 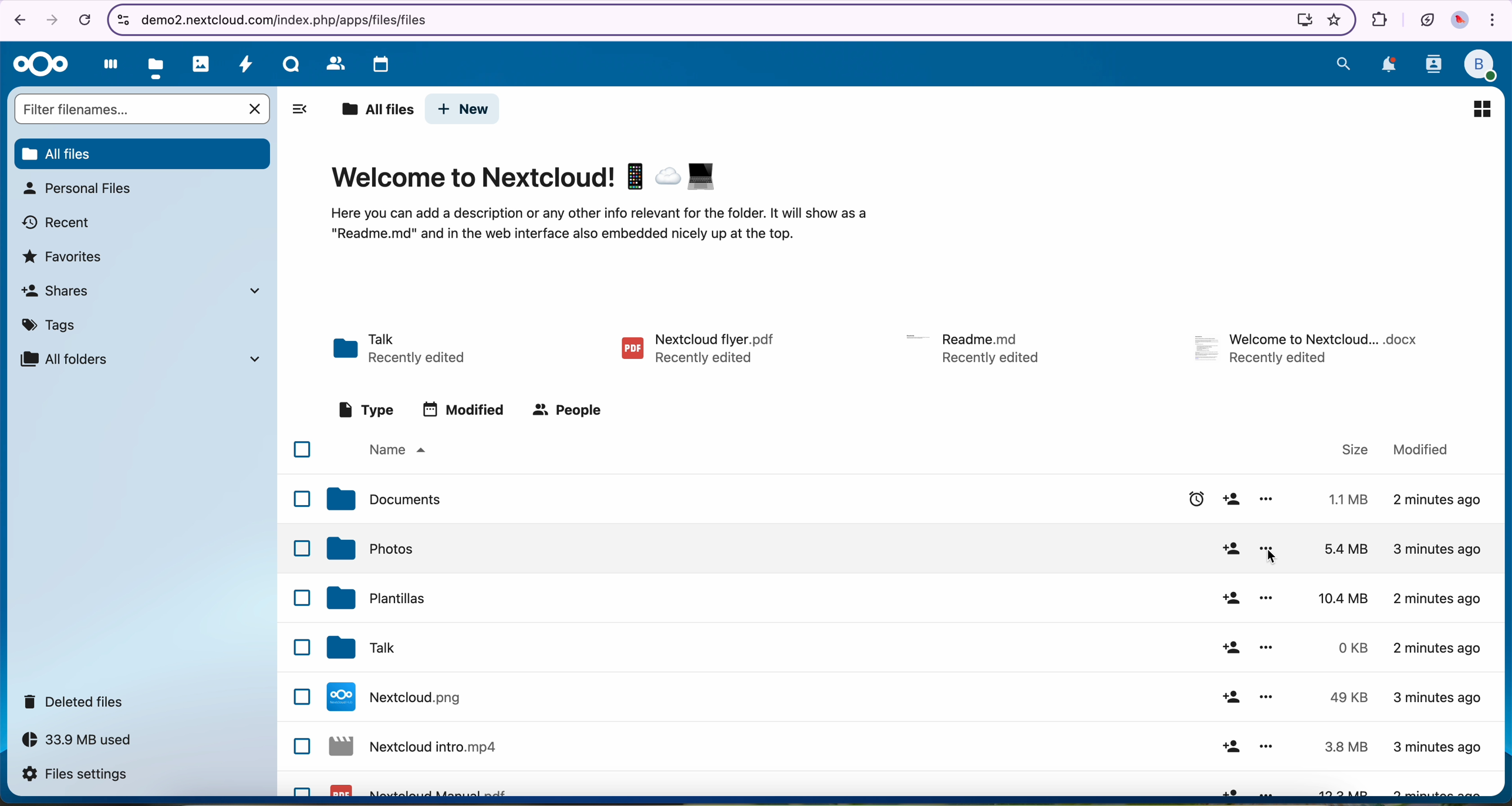 What do you see at coordinates (1481, 66) in the screenshot?
I see `profile` at bounding box center [1481, 66].